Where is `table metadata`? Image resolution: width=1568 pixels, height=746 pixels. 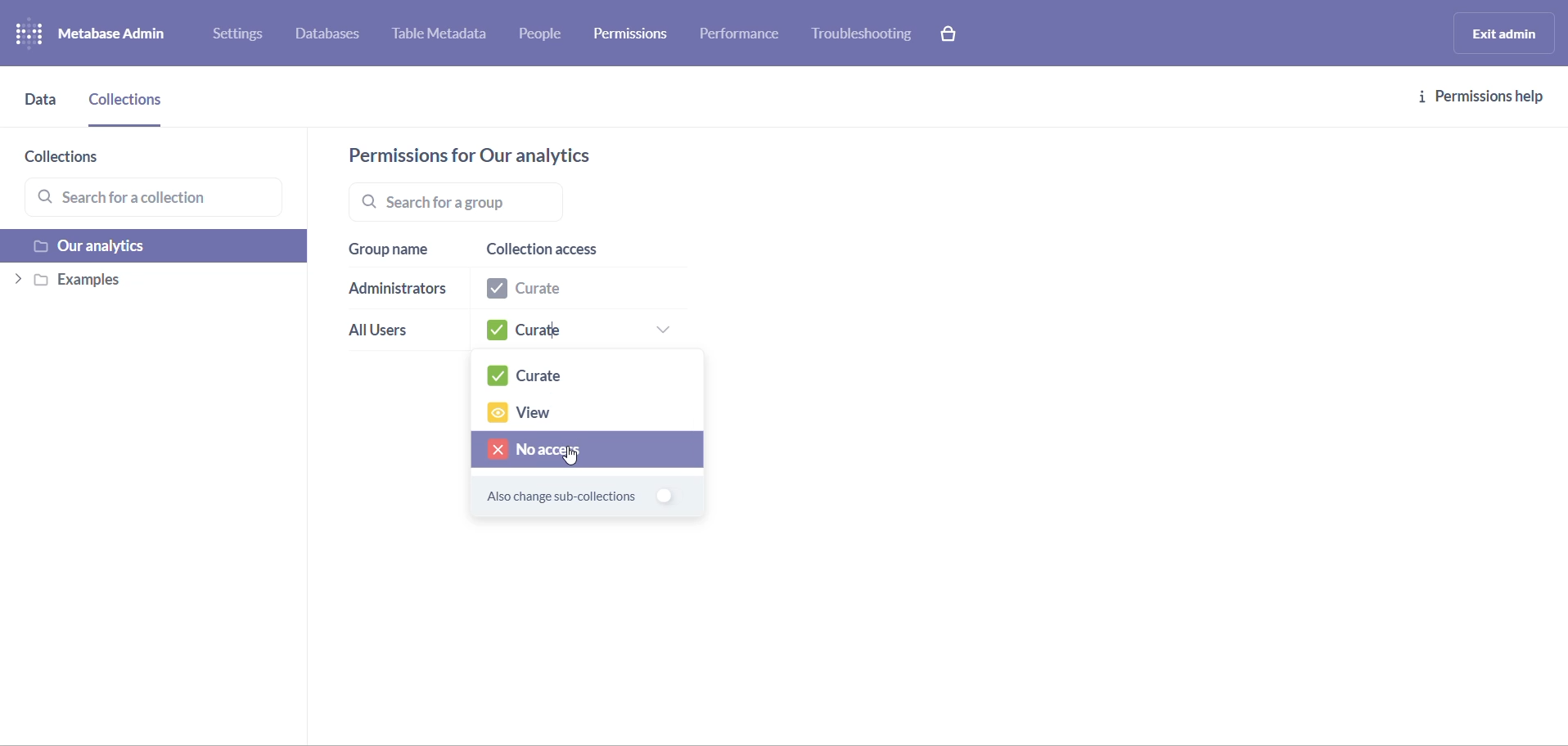
table metadata is located at coordinates (447, 36).